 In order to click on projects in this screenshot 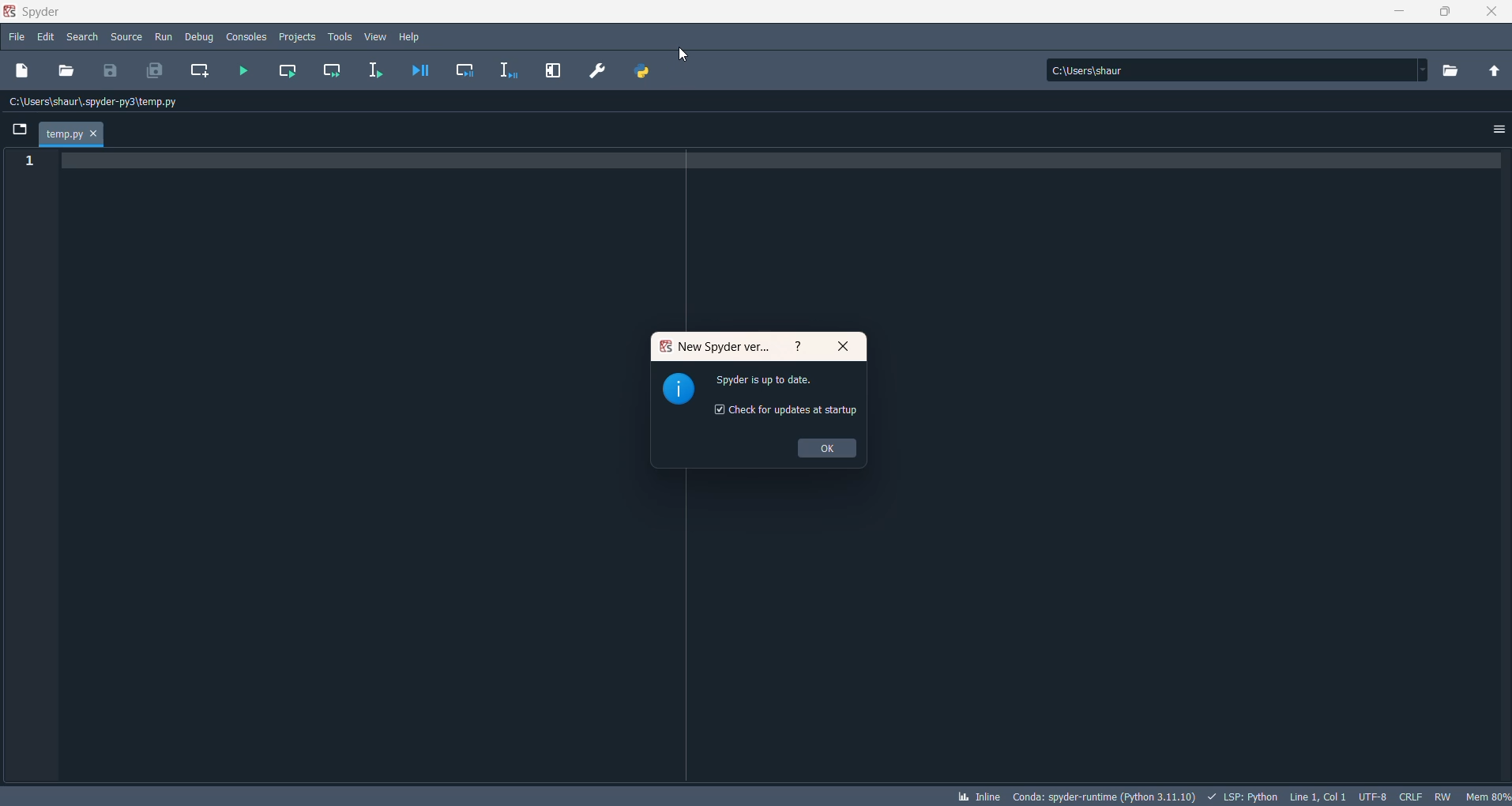, I will do `click(297, 37)`.